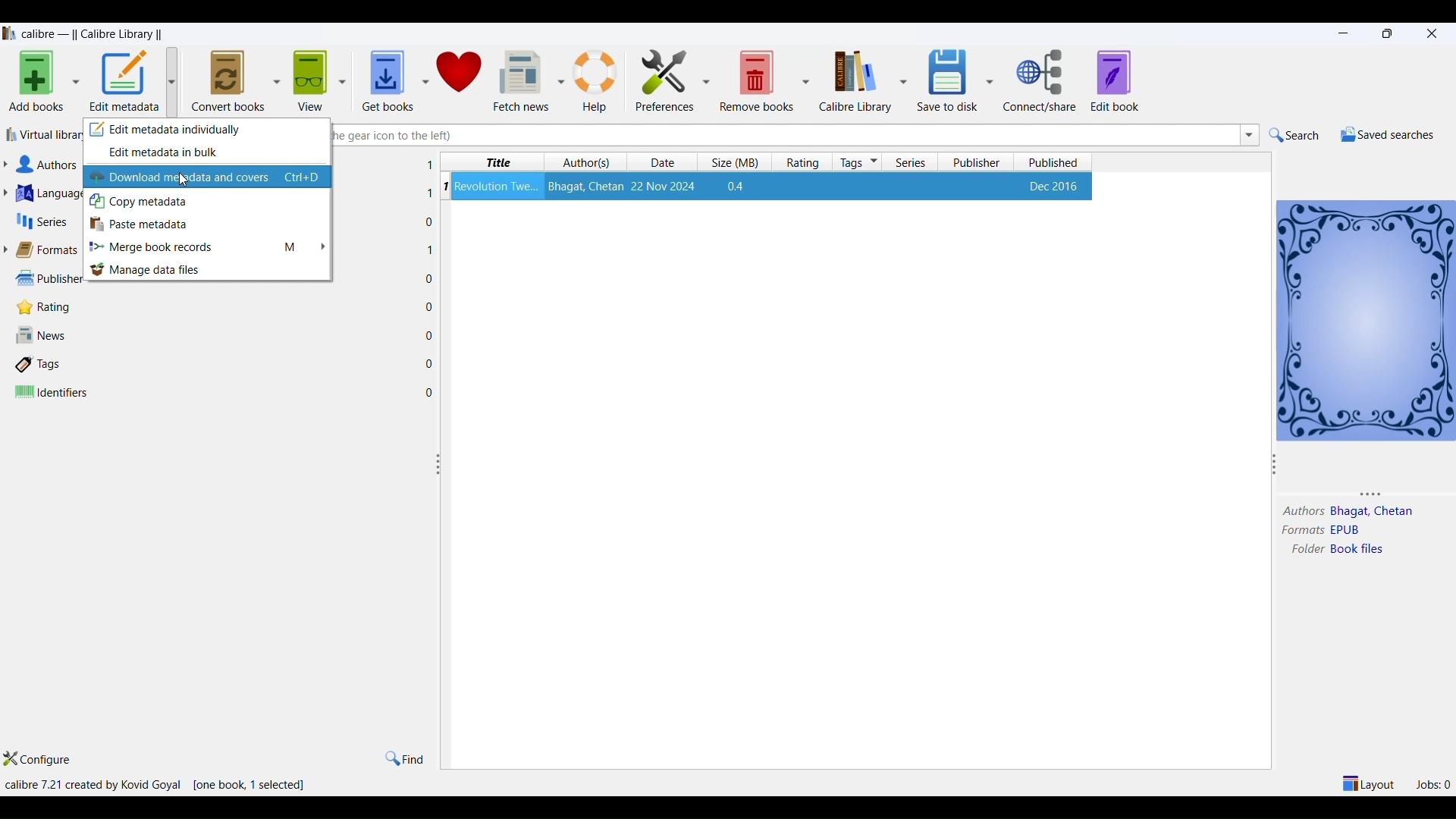 The height and width of the screenshot is (819, 1456). What do you see at coordinates (9, 249) in the screenshot?
I see `format lists dropdown button` at bounding box center [9, 249].